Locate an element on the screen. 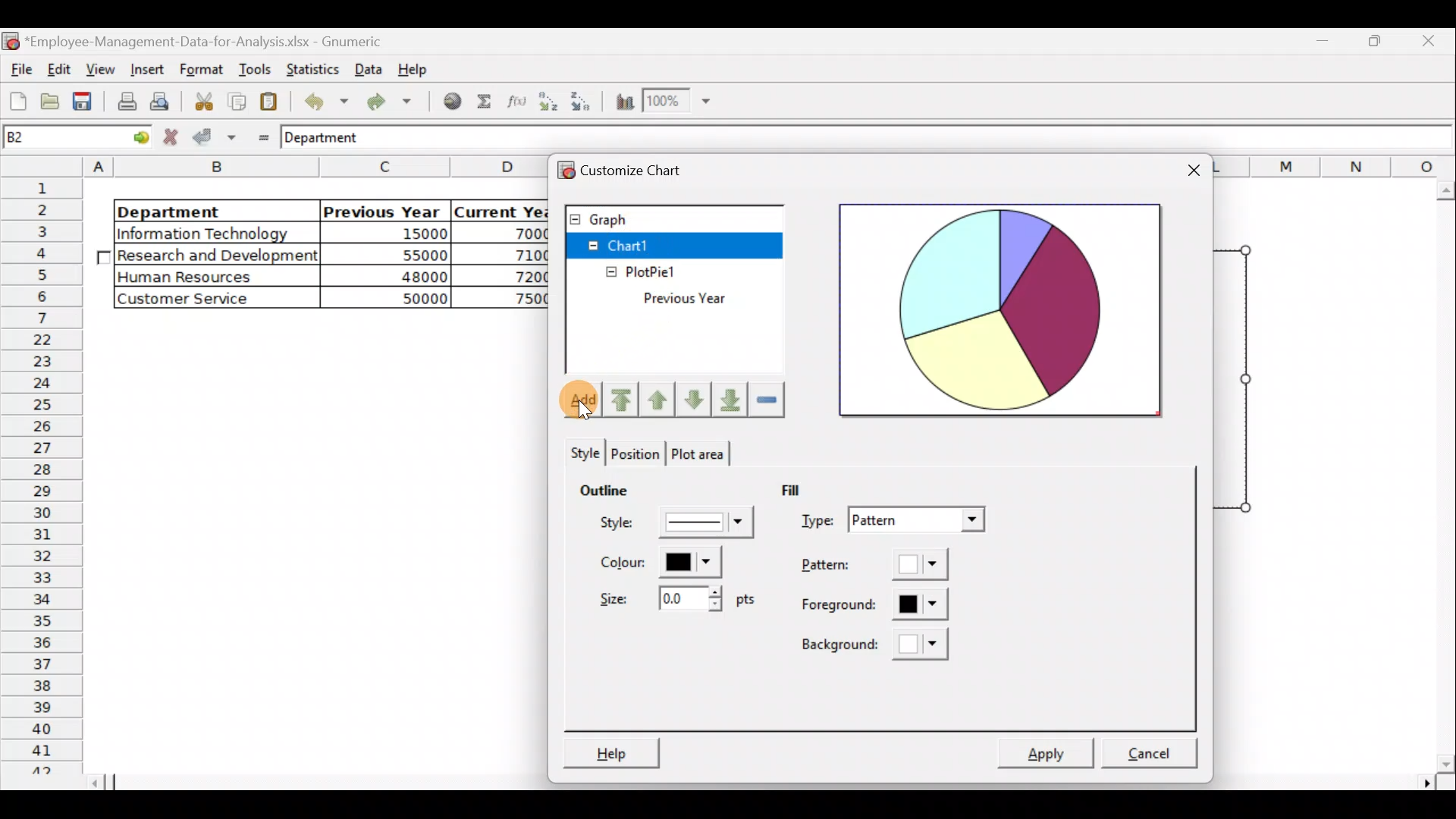 This screenshot has height=819, width=1456. Create a new workbook is located at coordinates (18, 101).